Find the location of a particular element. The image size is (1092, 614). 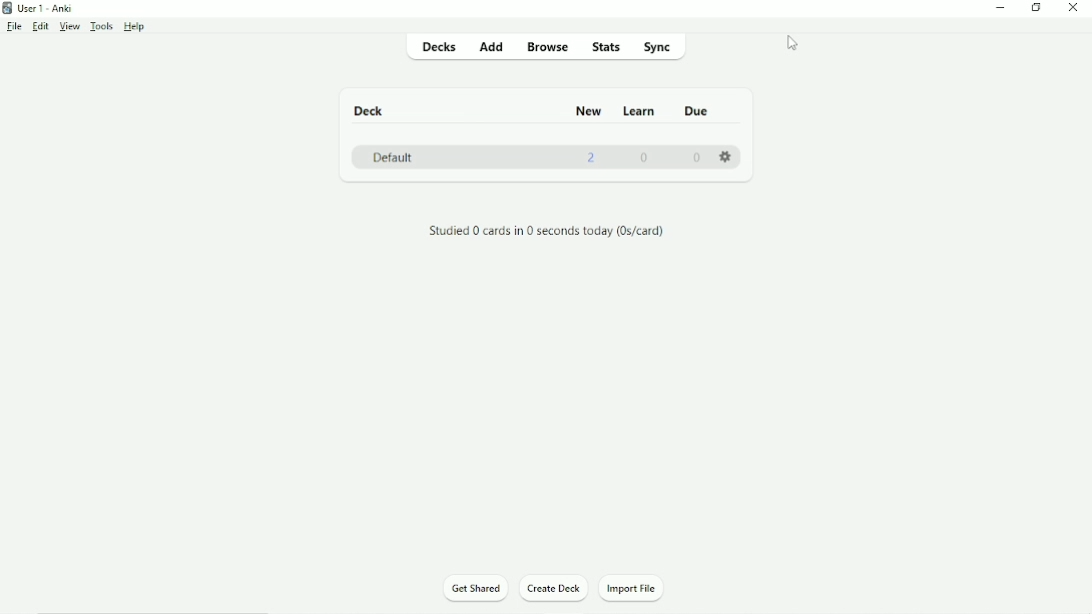

User 1 - Anki is located at coordinates (45, 7).